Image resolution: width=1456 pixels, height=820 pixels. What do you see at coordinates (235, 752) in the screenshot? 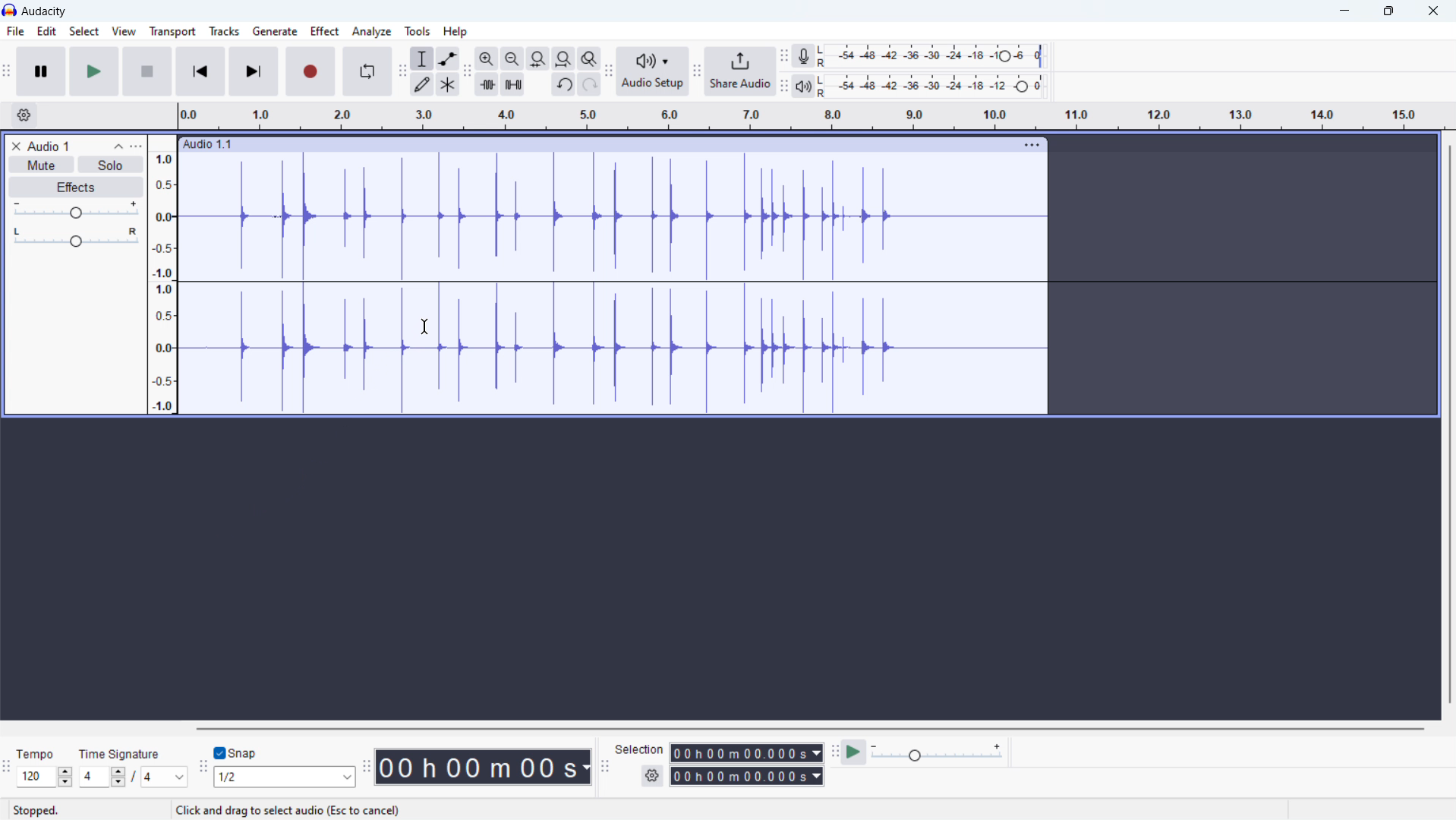
I see `toggle snap` at bounding box center [235, 752].